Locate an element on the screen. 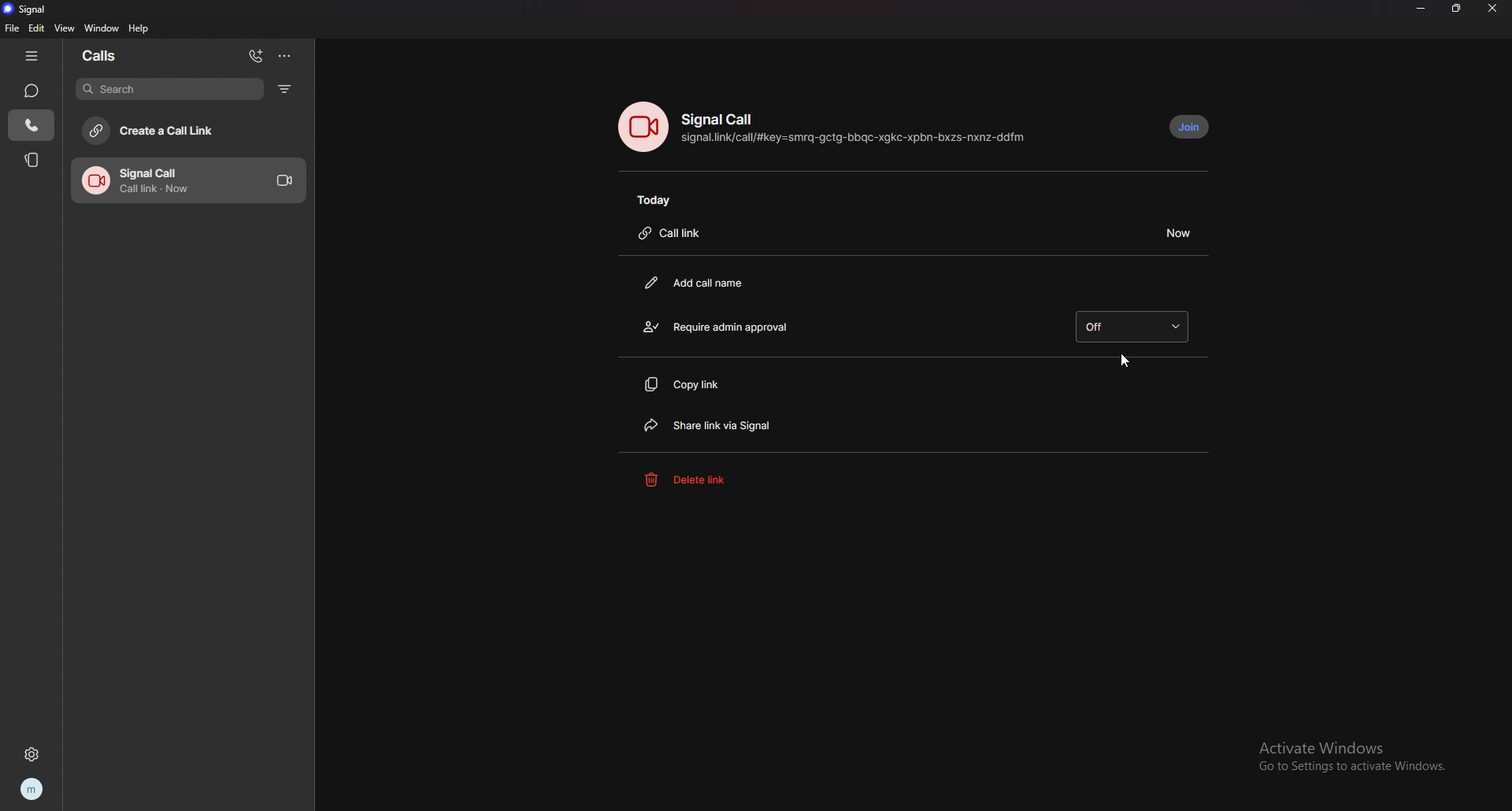 The image size is (1512, 811). chats is located at coordinates (32, 91).